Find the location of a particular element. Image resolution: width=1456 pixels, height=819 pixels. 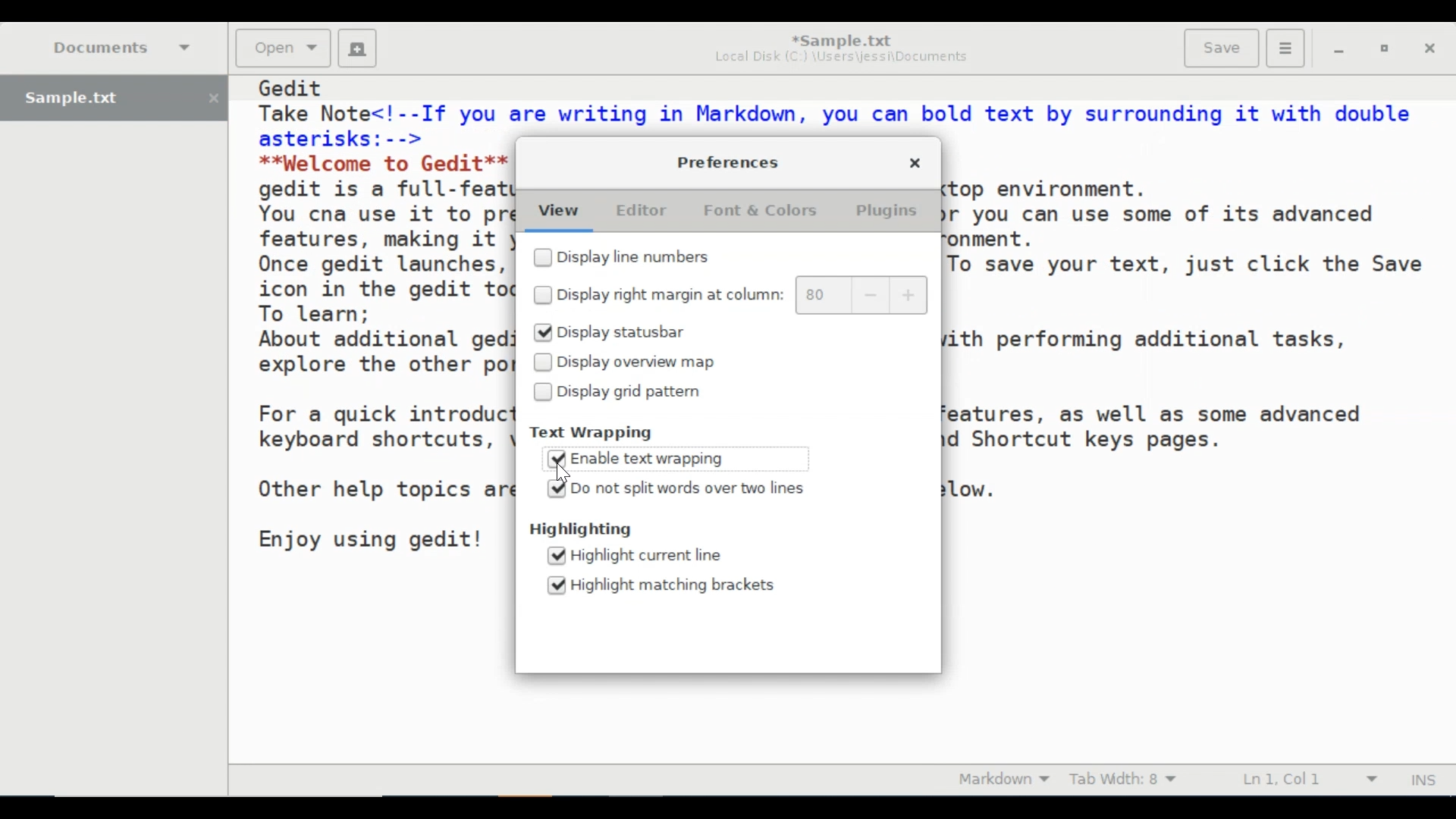

Font & Colors is located at coordinates (758, 212).